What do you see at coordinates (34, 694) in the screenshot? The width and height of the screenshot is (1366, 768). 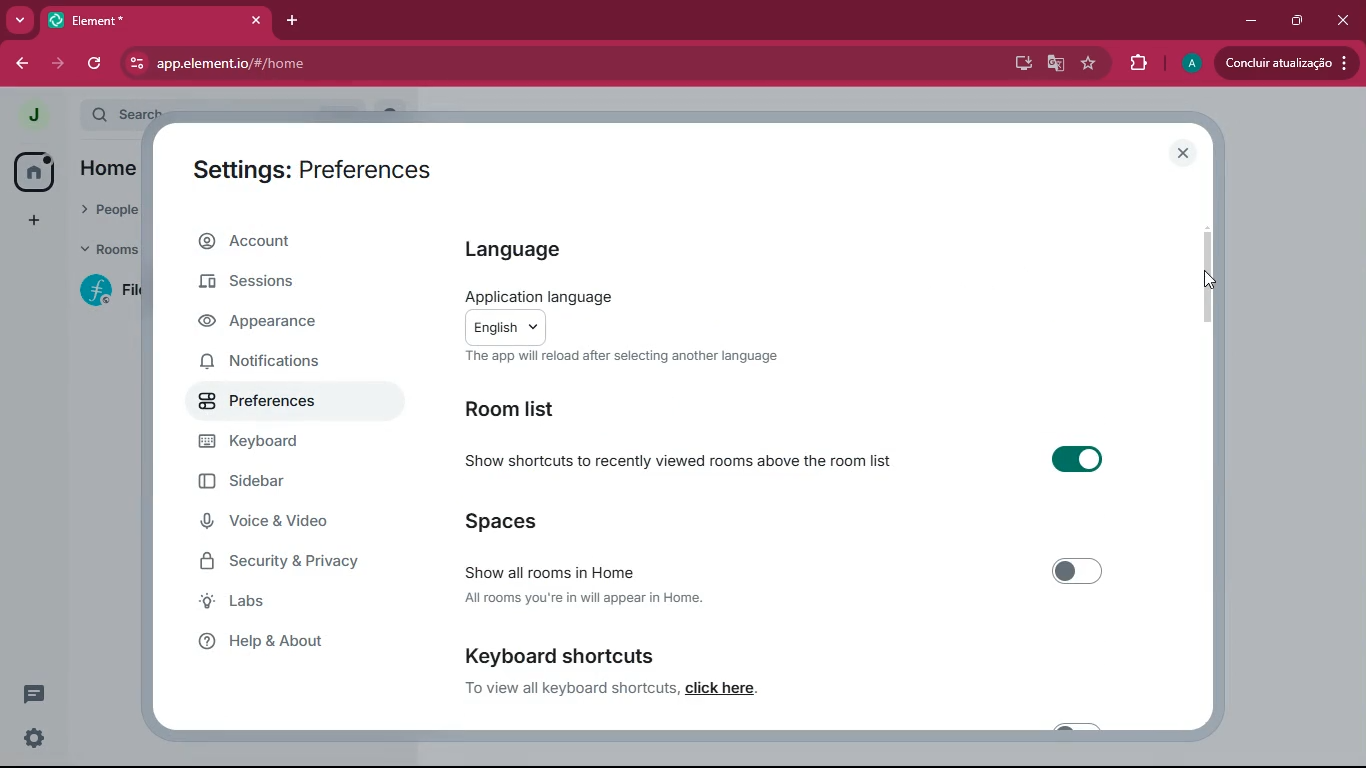 I see `threads` at bounding box center [34, 694].